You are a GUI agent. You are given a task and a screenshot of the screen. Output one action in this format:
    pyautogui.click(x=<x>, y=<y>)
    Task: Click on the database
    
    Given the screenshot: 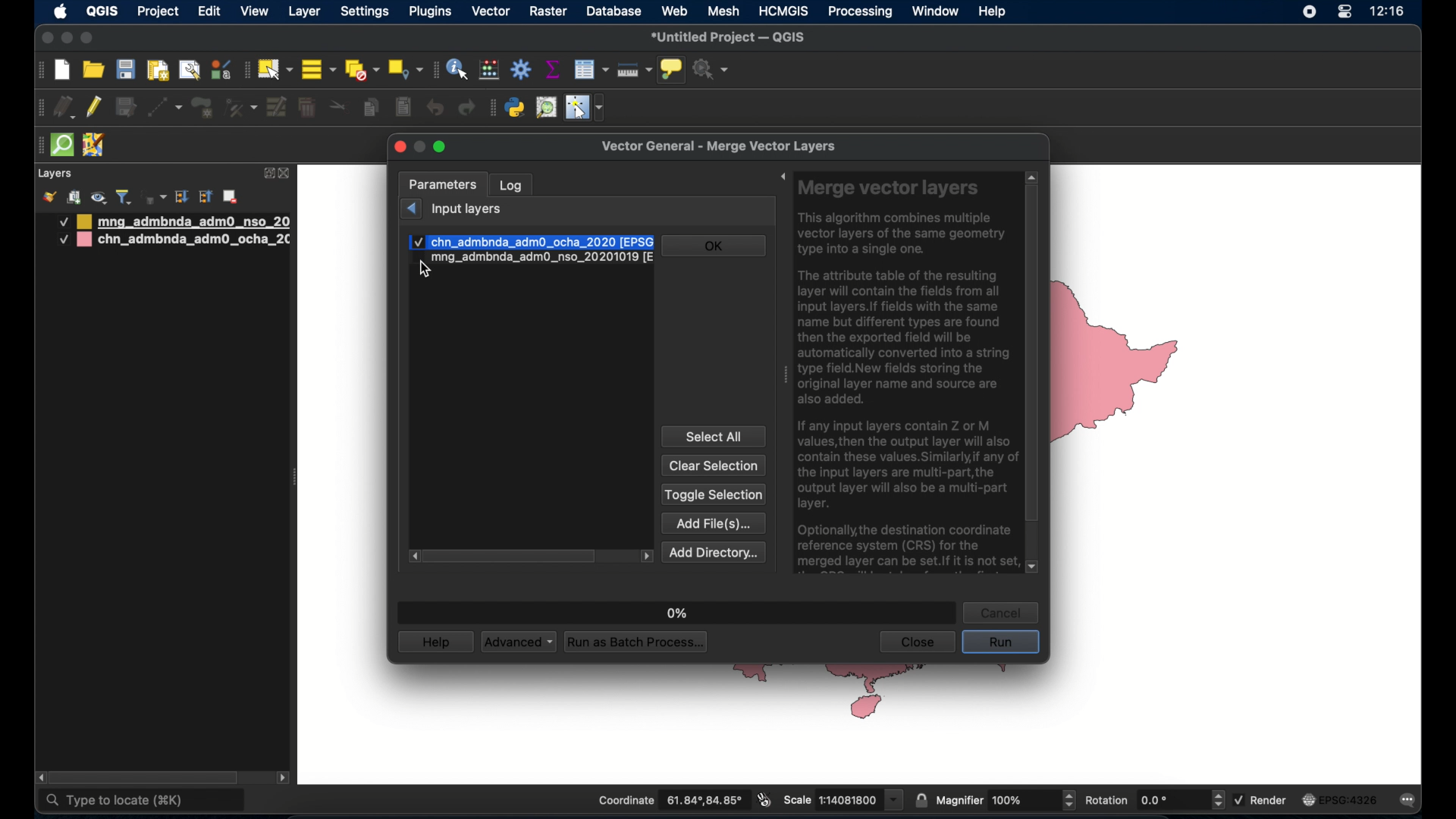 What is the action you would take?
    pyautogui.click(x=614, y=12)
    